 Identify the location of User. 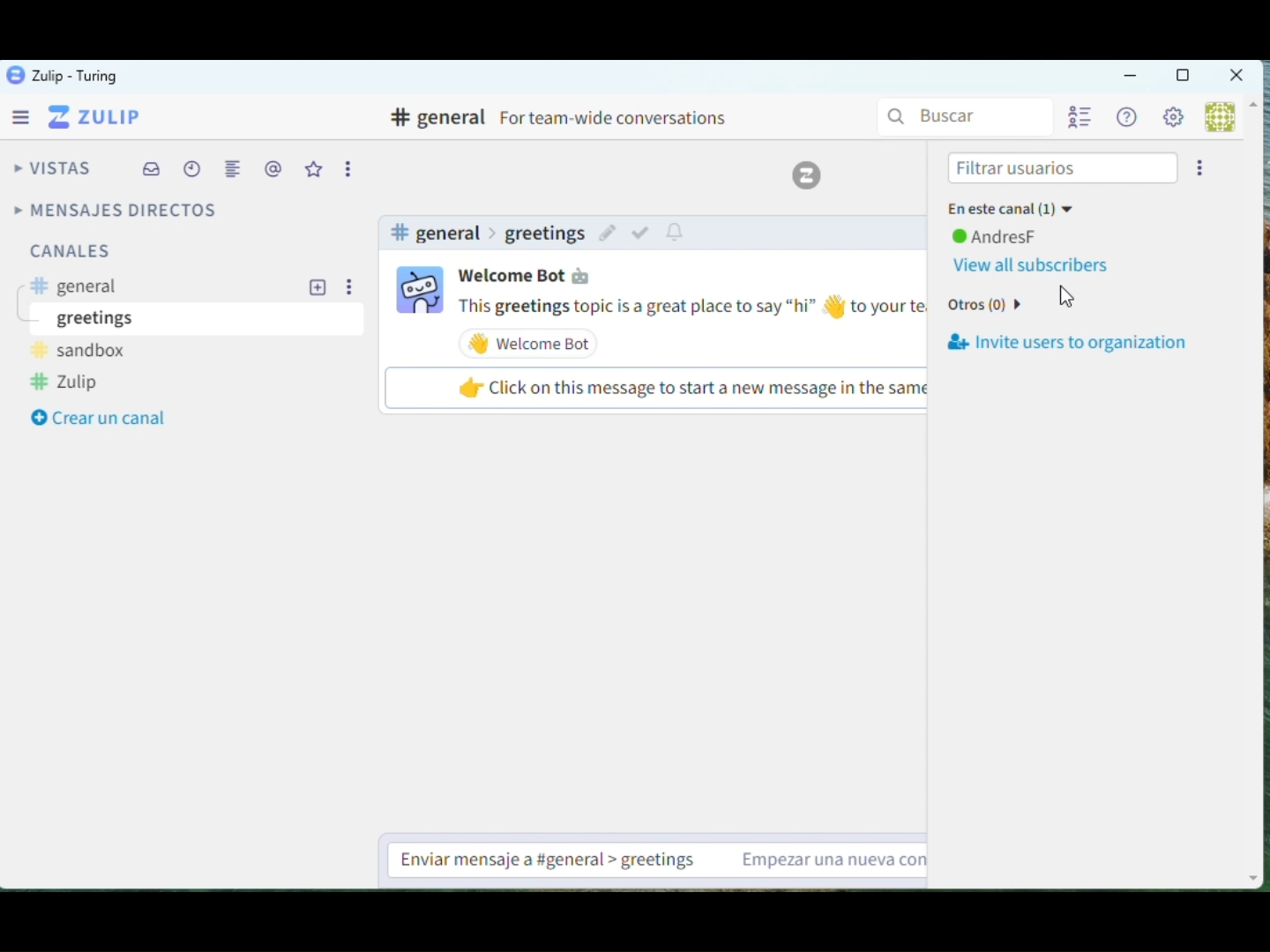
(1222, 117).